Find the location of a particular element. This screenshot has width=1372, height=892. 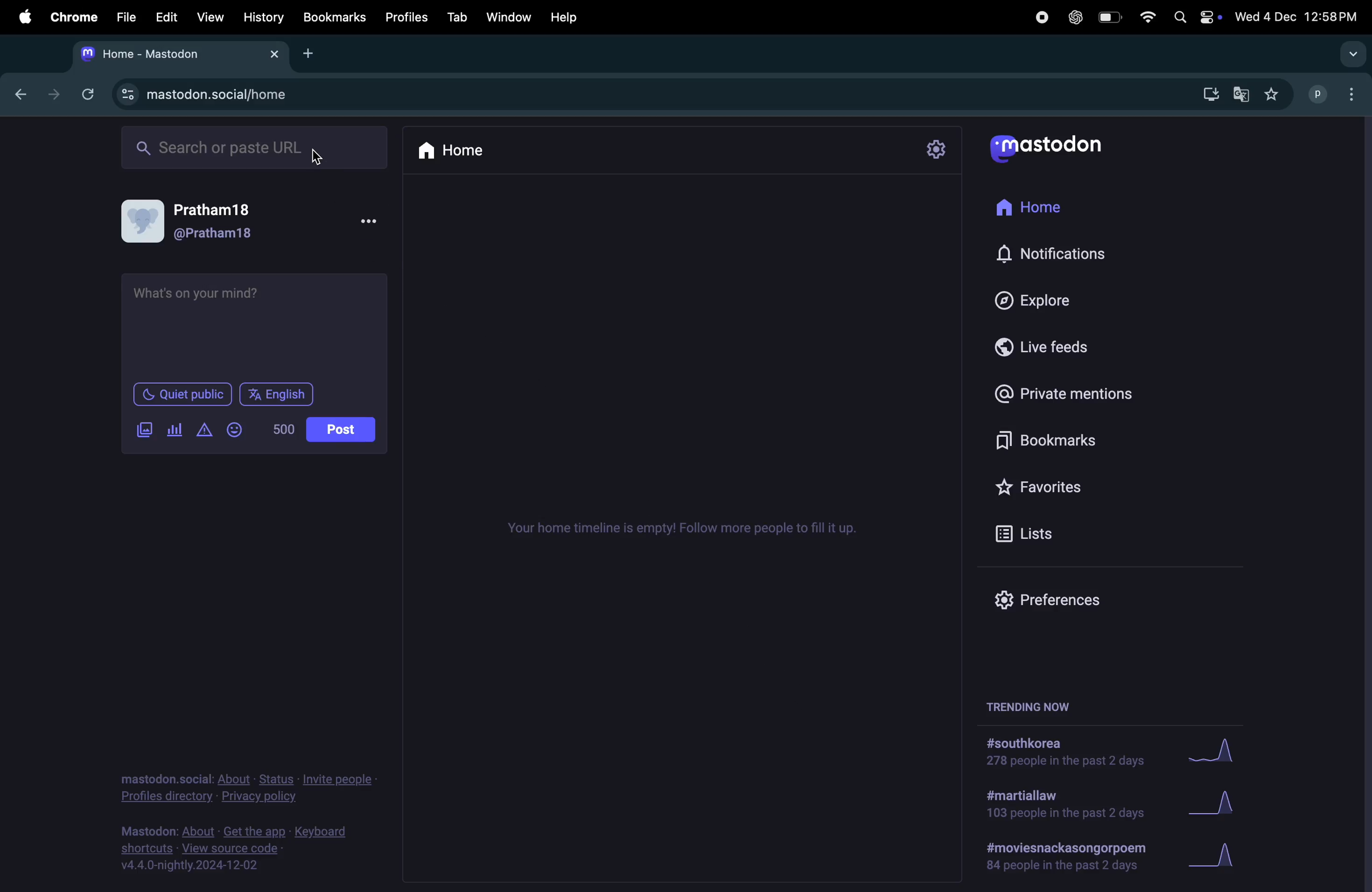

drop down menu is located at coordinates (1348, 52).